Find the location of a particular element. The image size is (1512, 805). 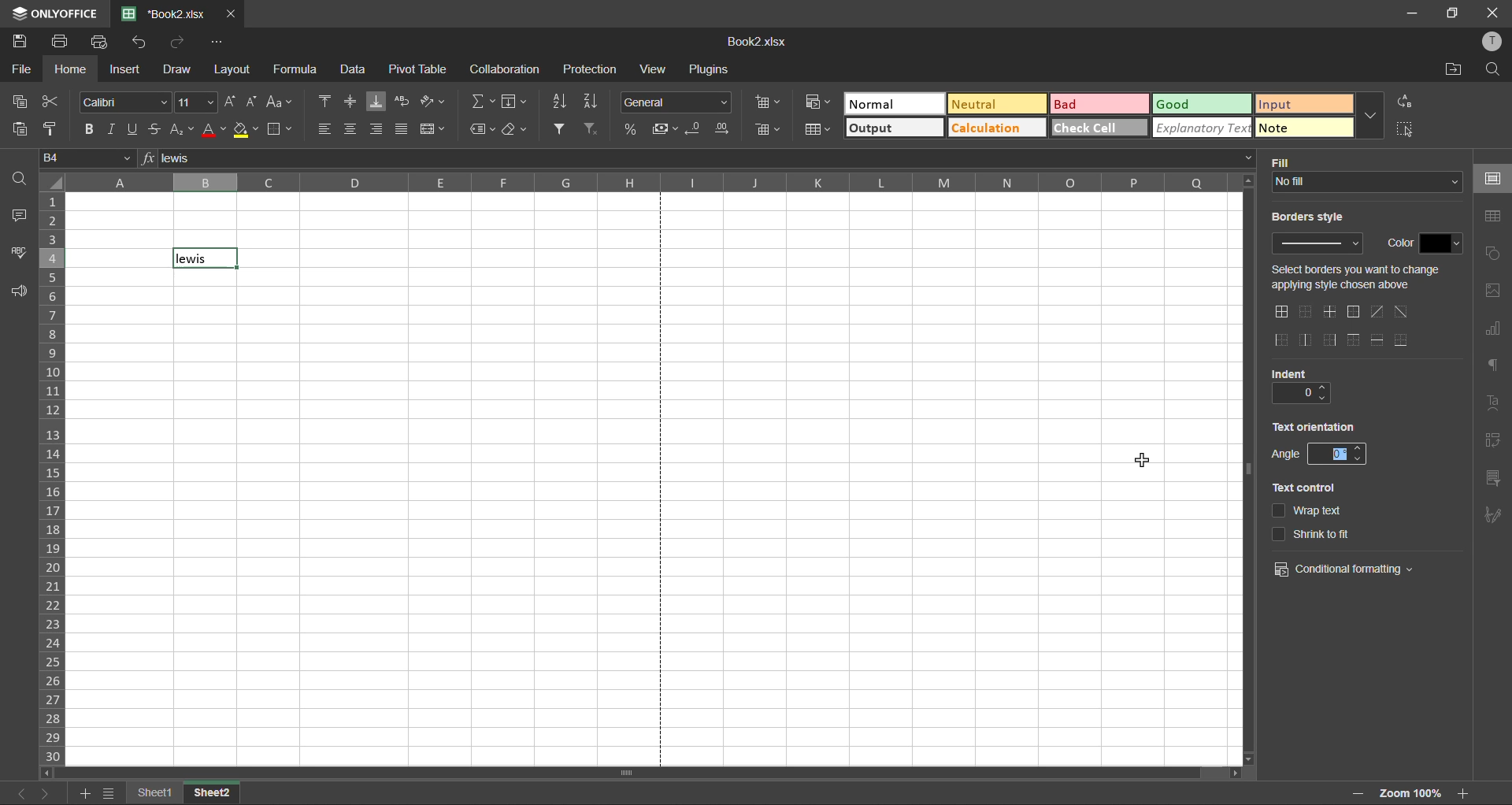

zoom factor is located at coordinates (1410, 792).